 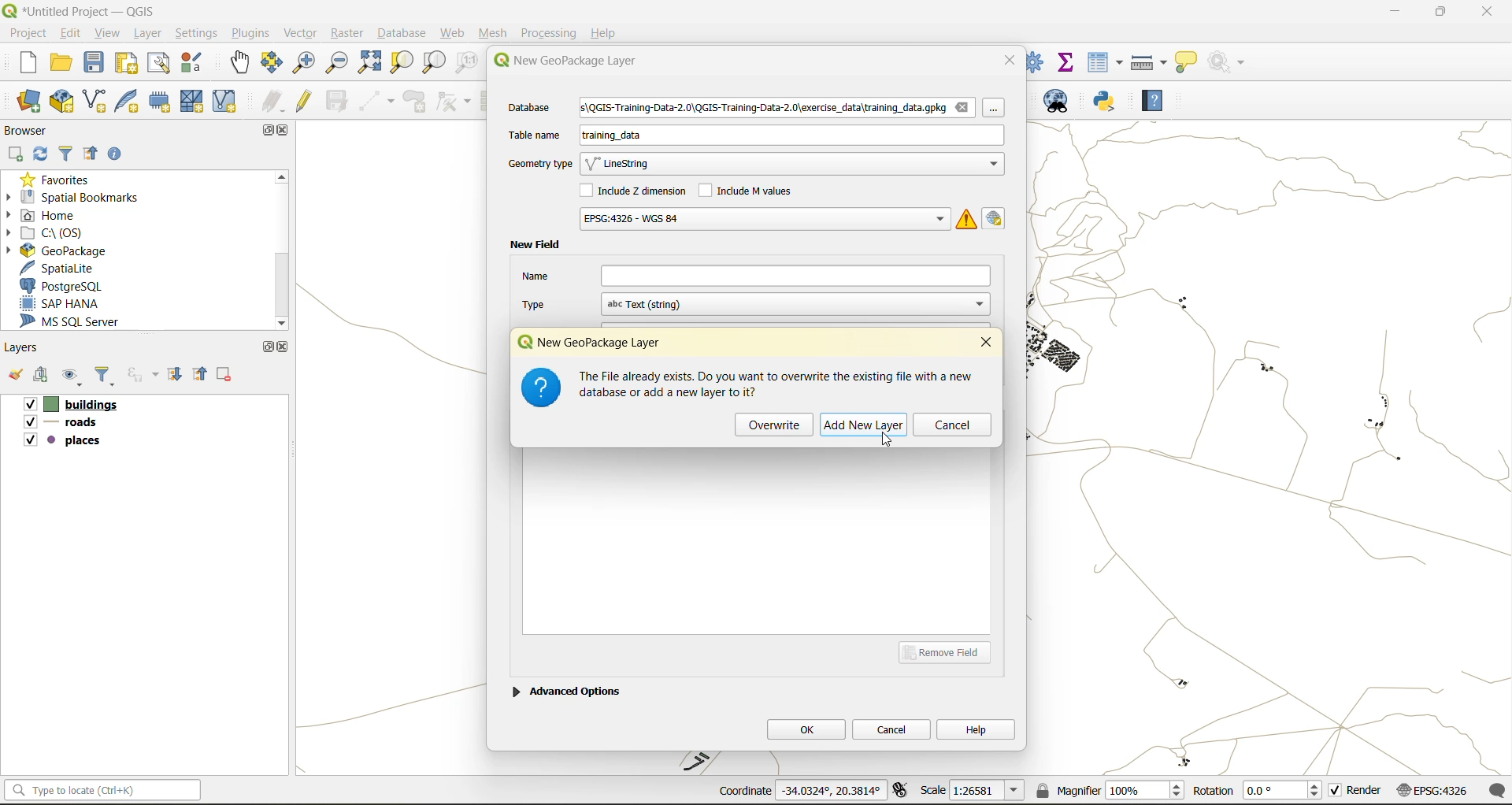 What do you see at coordinates (612, 138) in the screenshot?
I see `training_data` at bounding box center [612, 138].